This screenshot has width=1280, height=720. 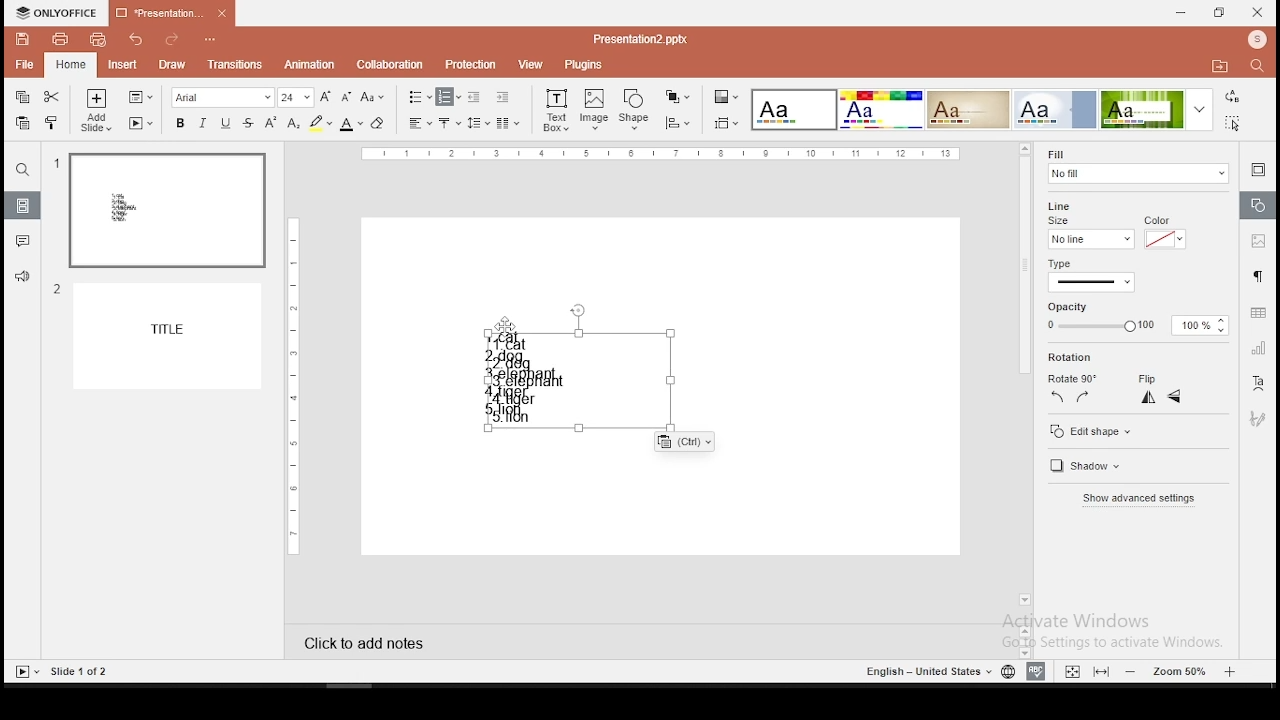 I want to click on flip vertical, so click(x=1147, y=398).